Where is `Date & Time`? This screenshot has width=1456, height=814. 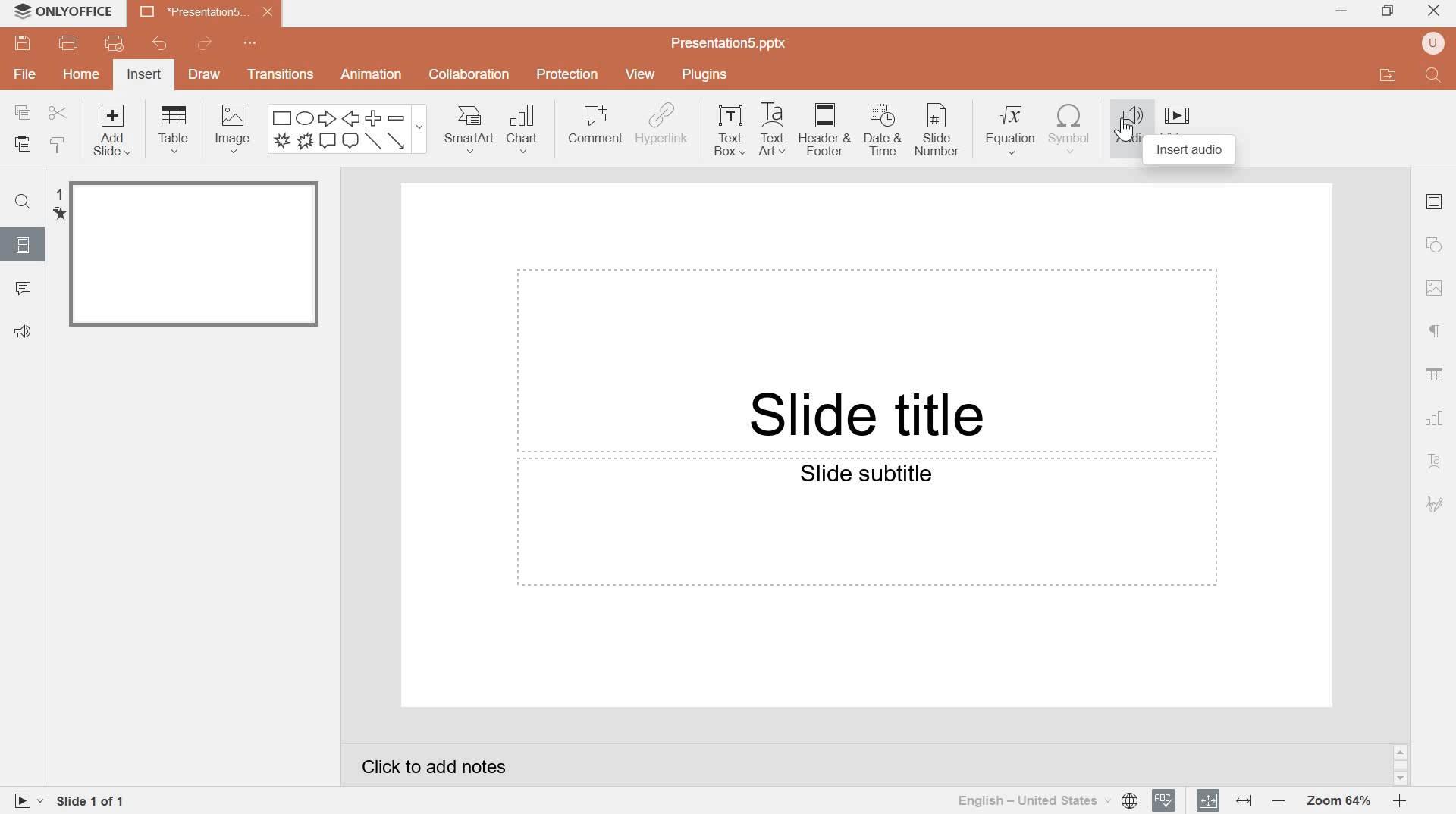 Date & Time is located at coordinates (884, 131).